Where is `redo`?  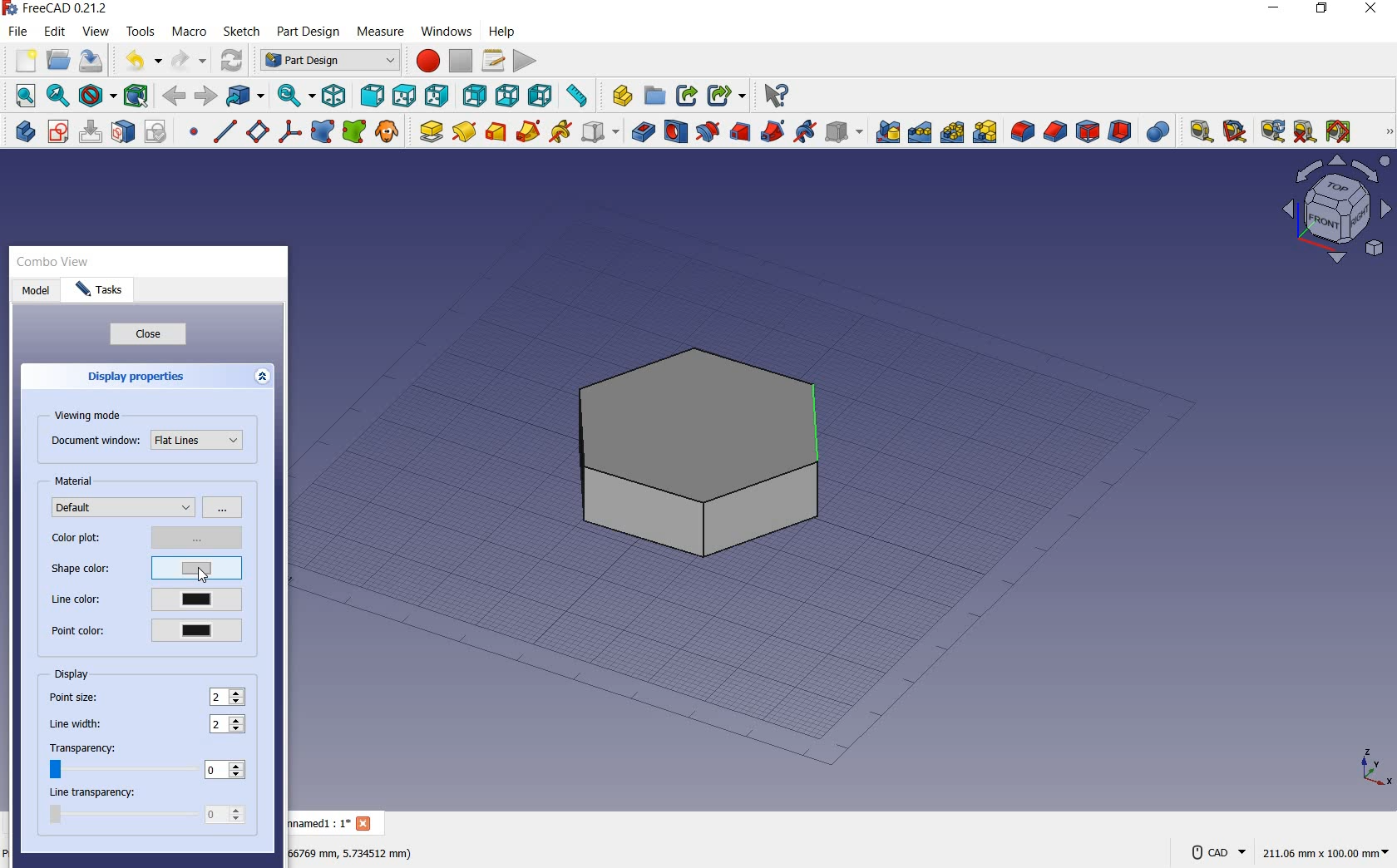
redo is located at coordinates (189, 60).